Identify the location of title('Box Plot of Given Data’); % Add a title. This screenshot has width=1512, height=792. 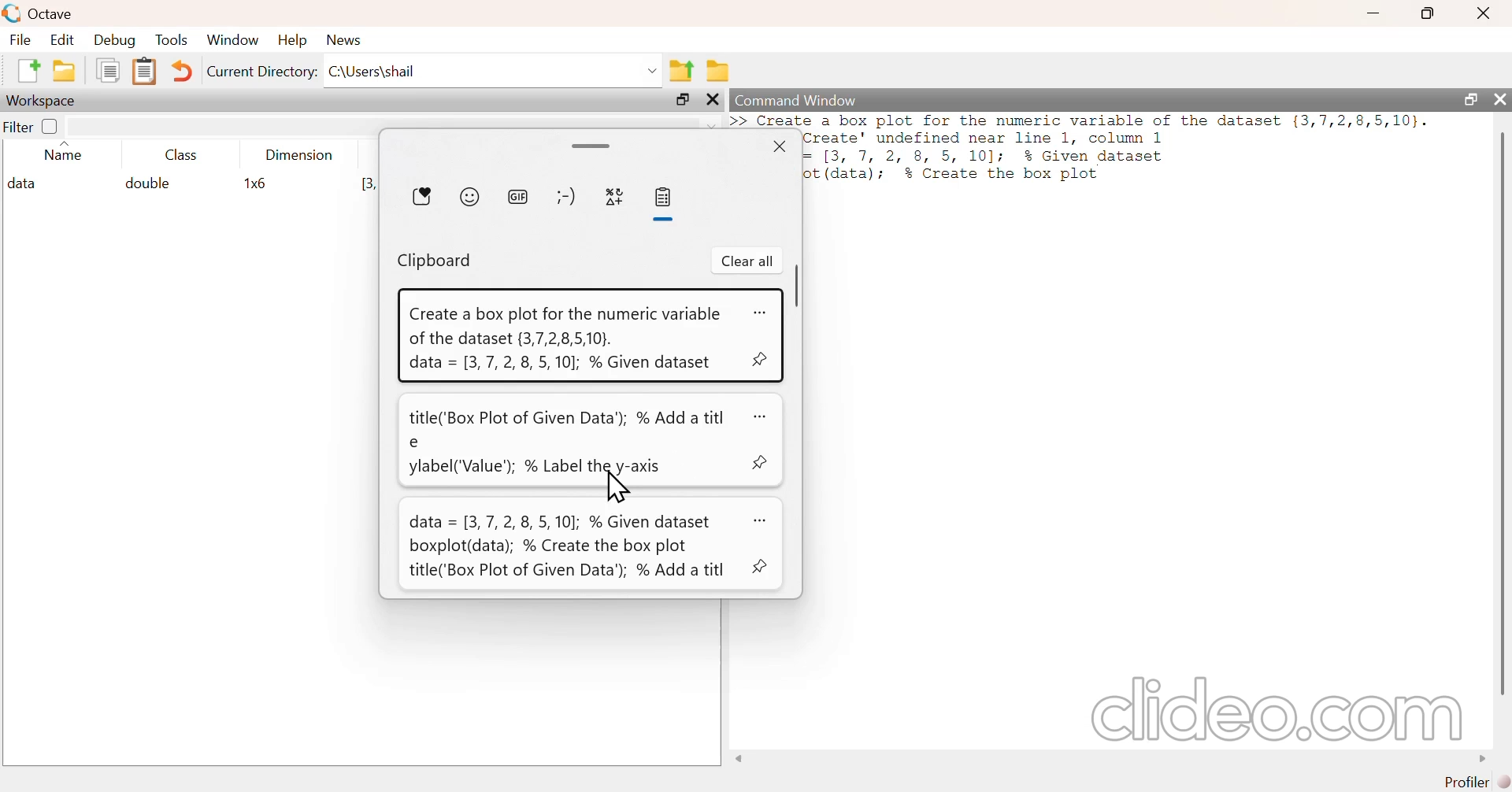
(571, 430).